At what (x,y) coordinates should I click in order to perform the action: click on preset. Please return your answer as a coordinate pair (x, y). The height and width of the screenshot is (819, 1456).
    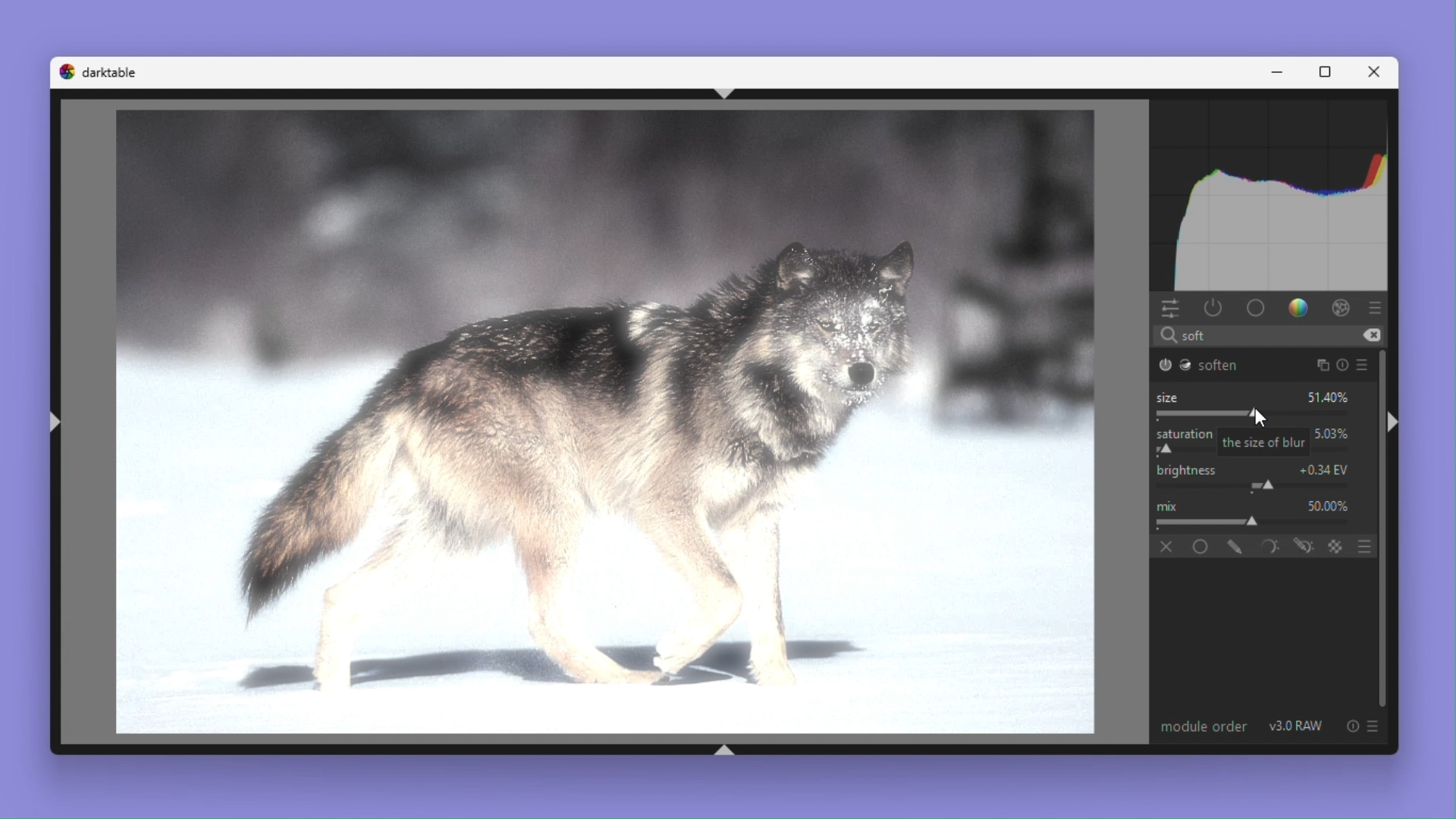
    Looking at the image, I should click on (1376, 307).